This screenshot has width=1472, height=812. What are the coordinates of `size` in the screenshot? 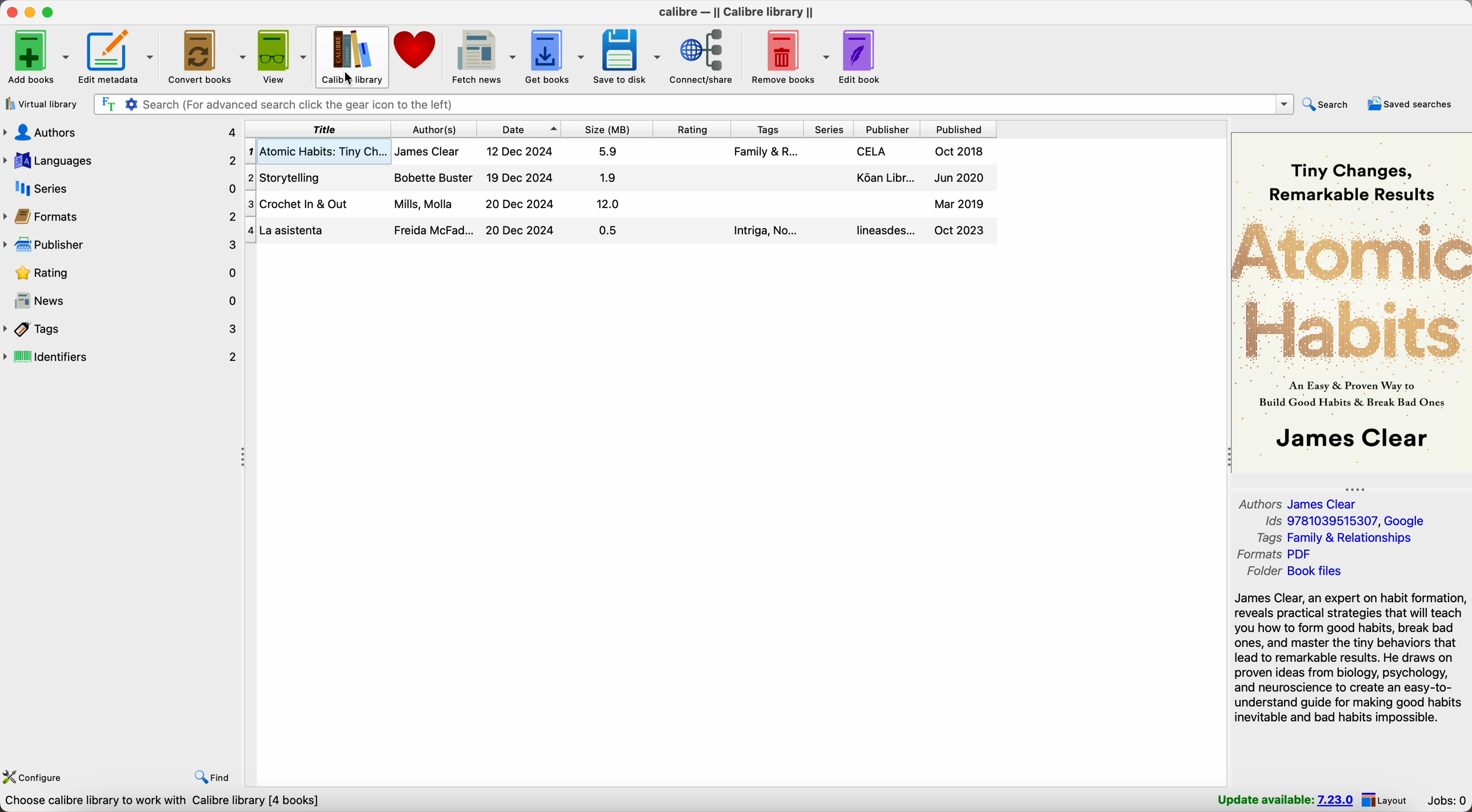 It's located at (607, 128).